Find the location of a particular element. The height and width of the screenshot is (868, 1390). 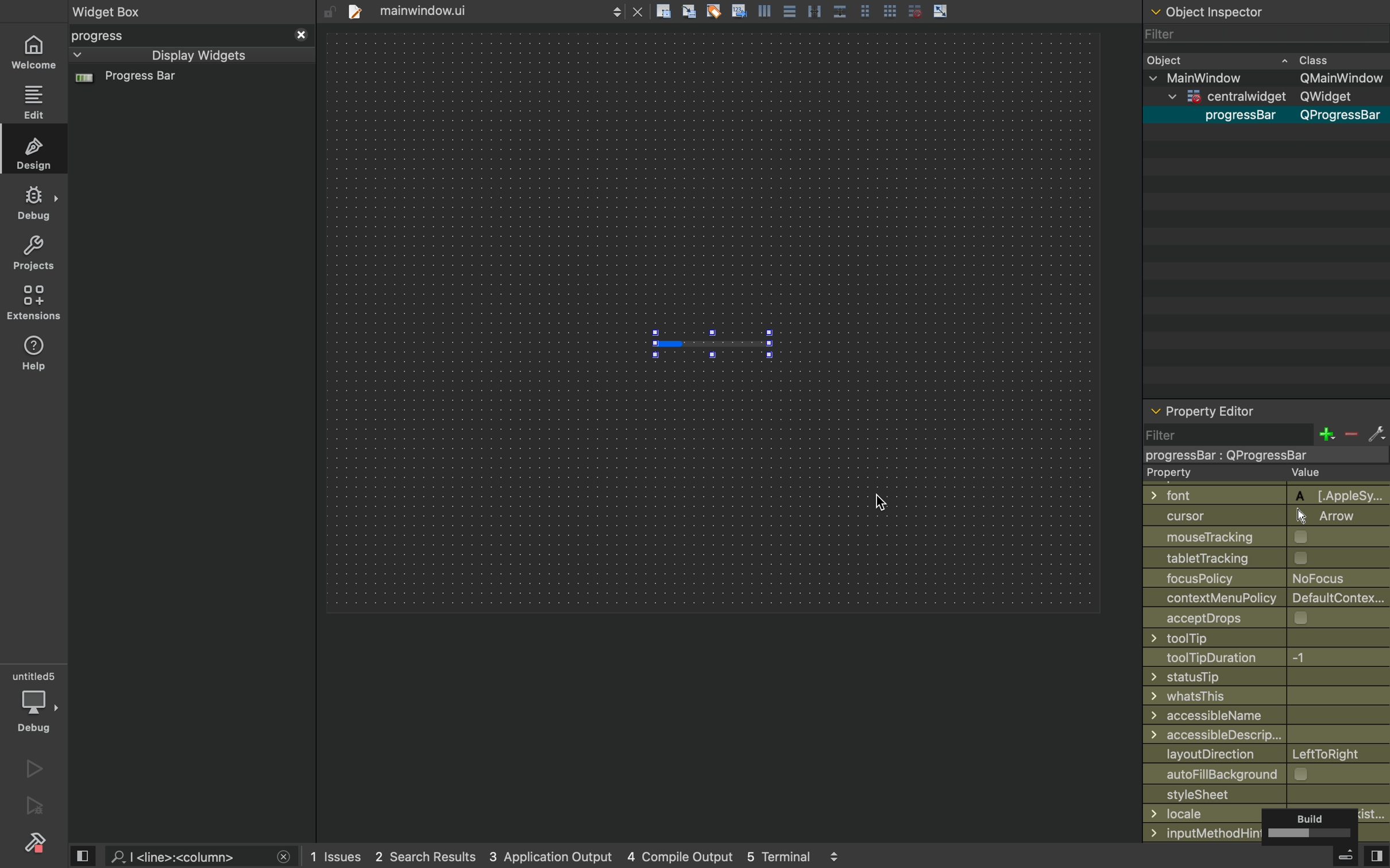

whatisthis is located at coordinates (1257, 697).